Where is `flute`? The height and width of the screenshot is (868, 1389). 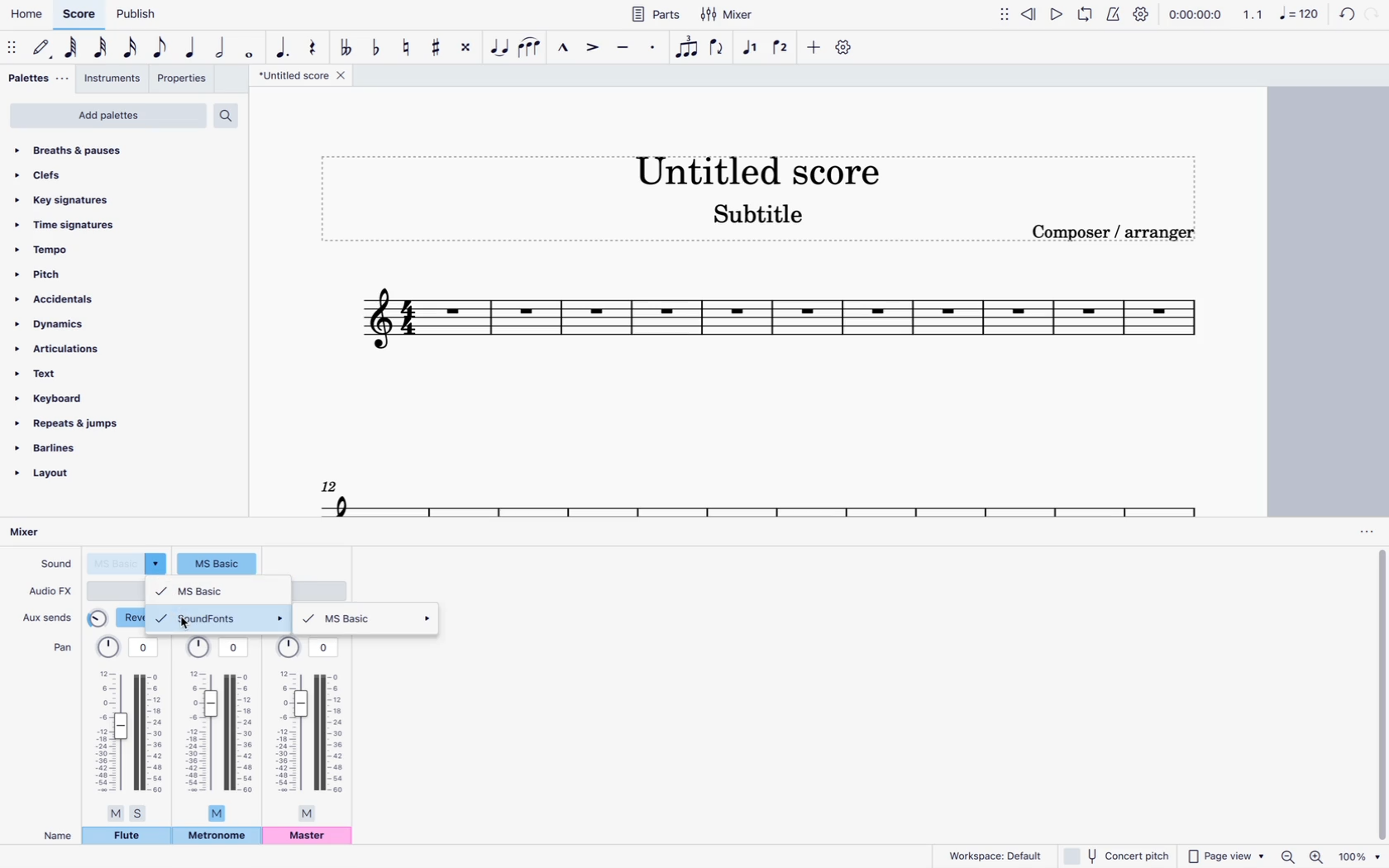
flute is located at coordinates (126, 836).